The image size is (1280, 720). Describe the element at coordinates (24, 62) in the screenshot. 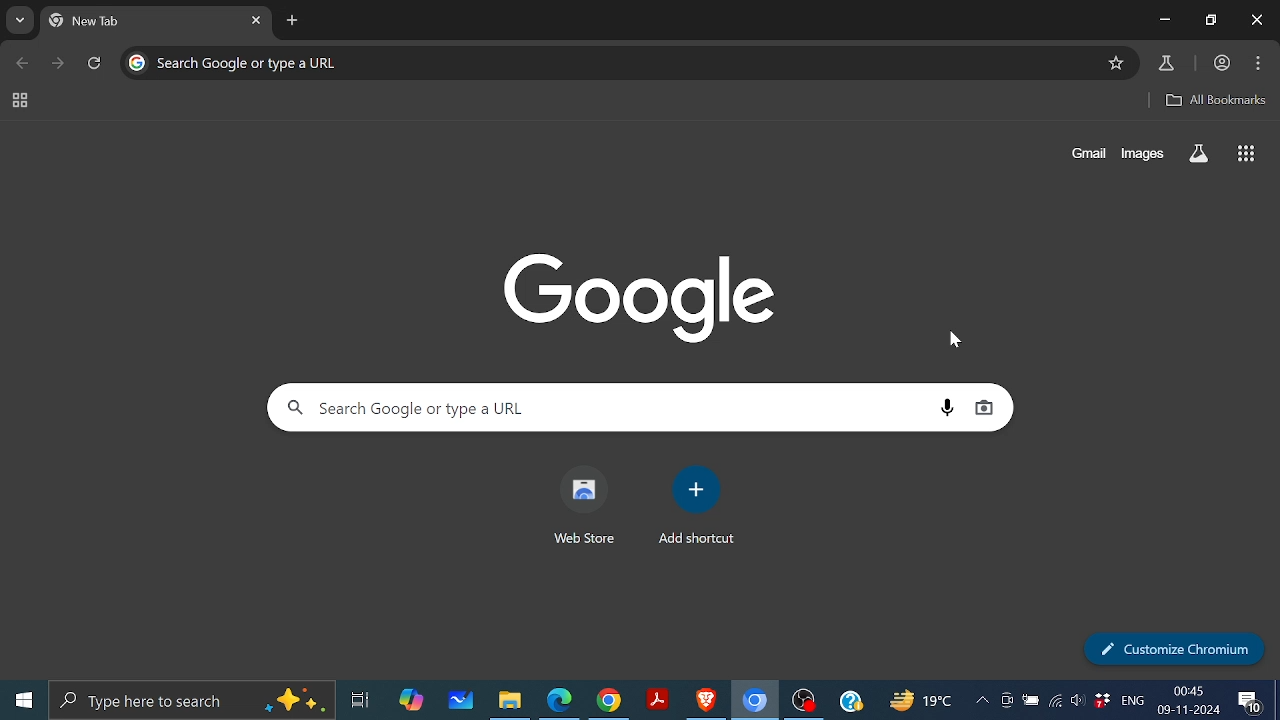

I see `Go to previous page` at that location.